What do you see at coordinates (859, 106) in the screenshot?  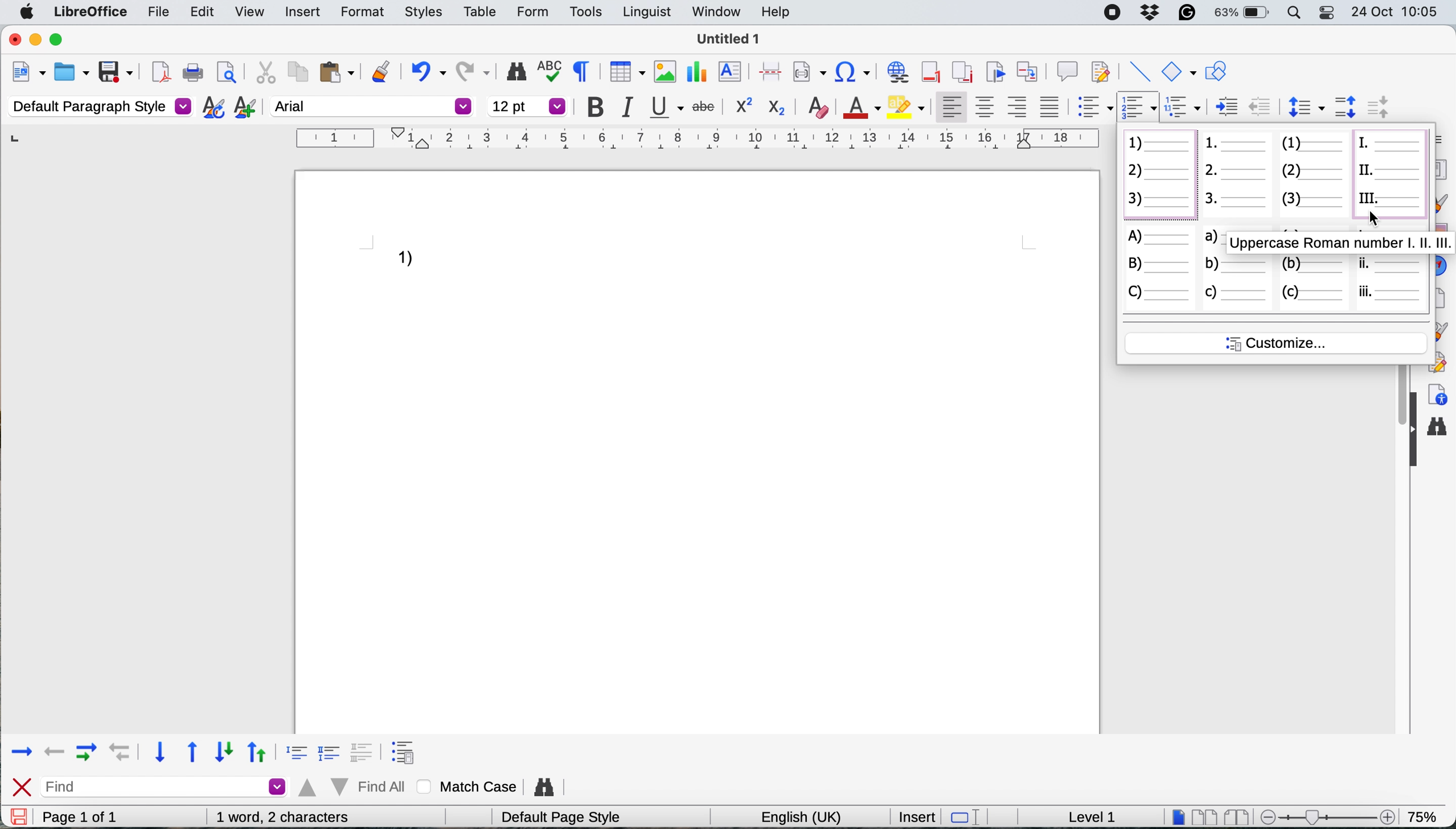 I see `text color` at bounding box center [859, 106].